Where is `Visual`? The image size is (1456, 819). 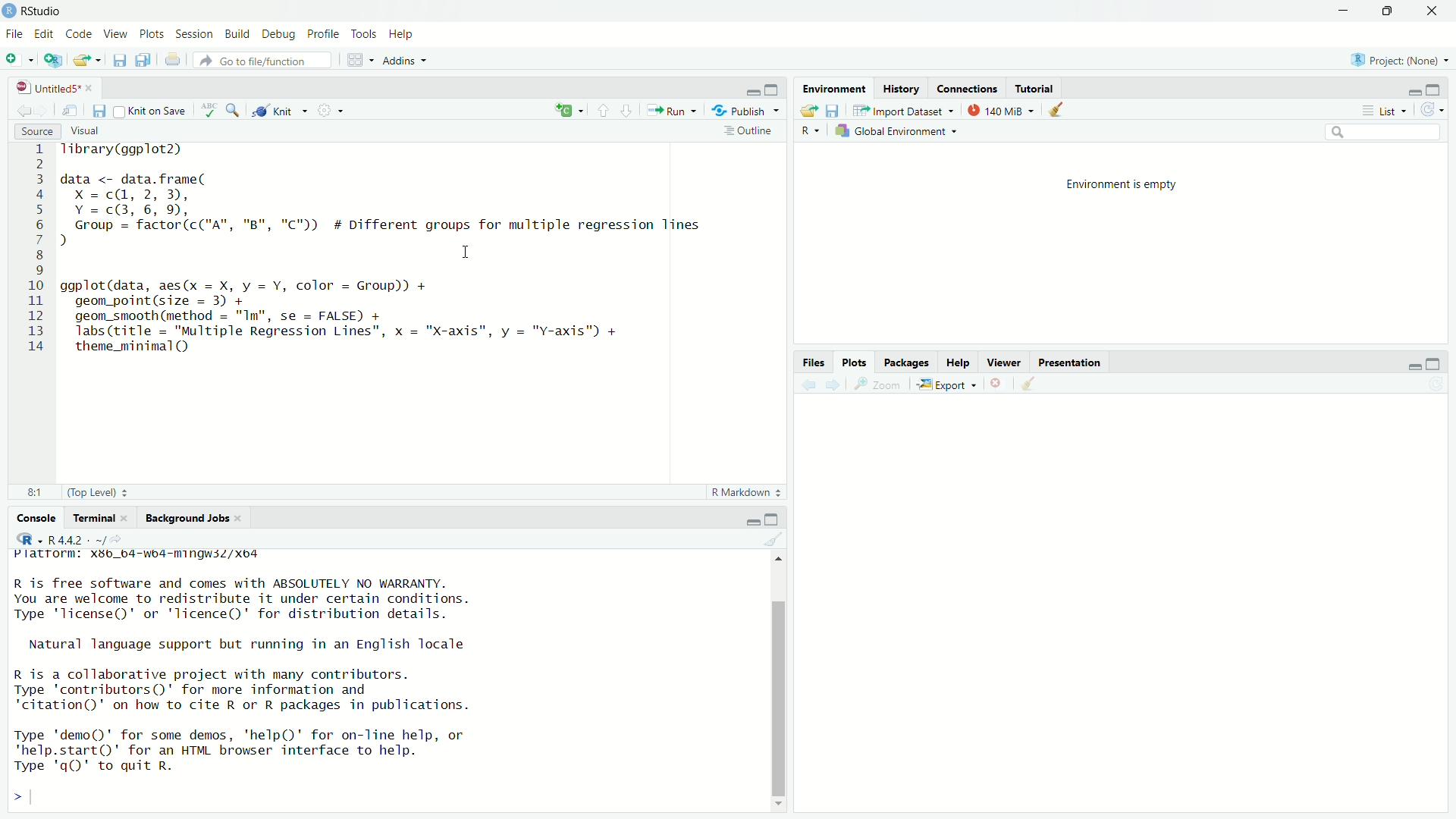
Visual is located at coordinates (95, 129).